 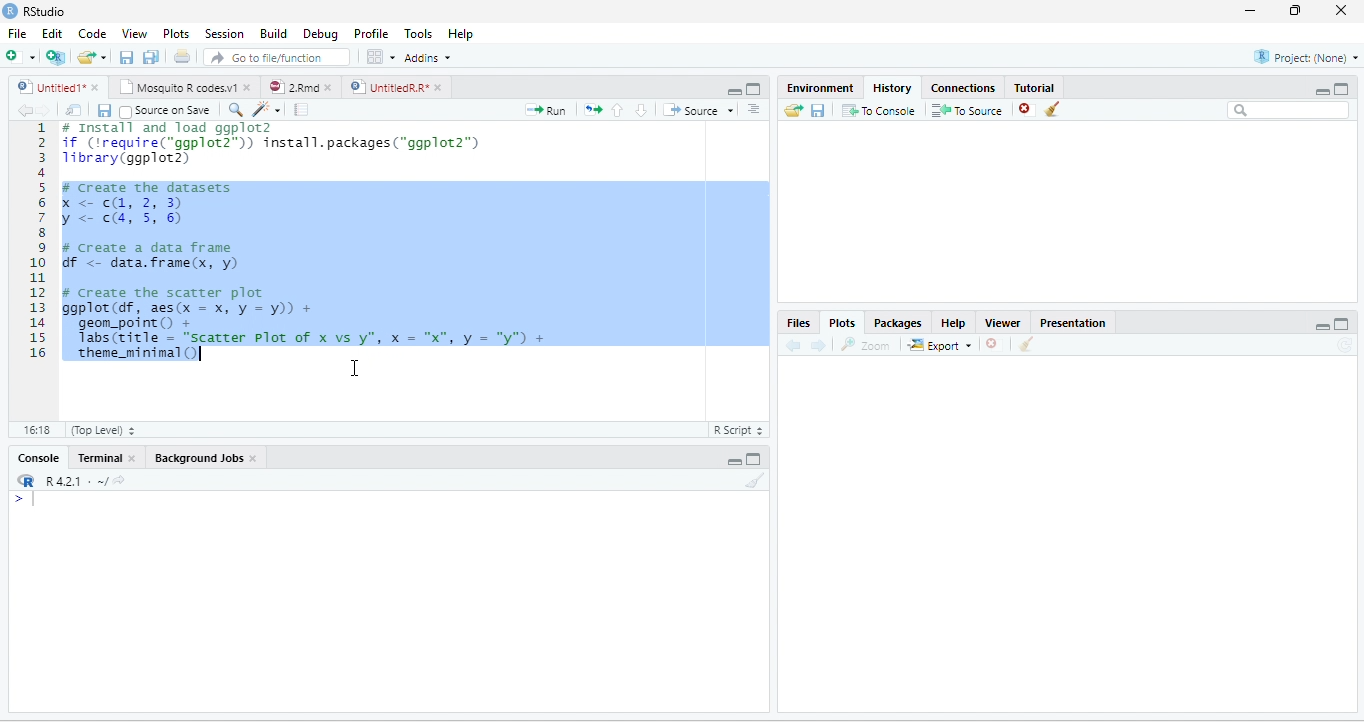 I want to click on Session, so click(x=225, y=33).